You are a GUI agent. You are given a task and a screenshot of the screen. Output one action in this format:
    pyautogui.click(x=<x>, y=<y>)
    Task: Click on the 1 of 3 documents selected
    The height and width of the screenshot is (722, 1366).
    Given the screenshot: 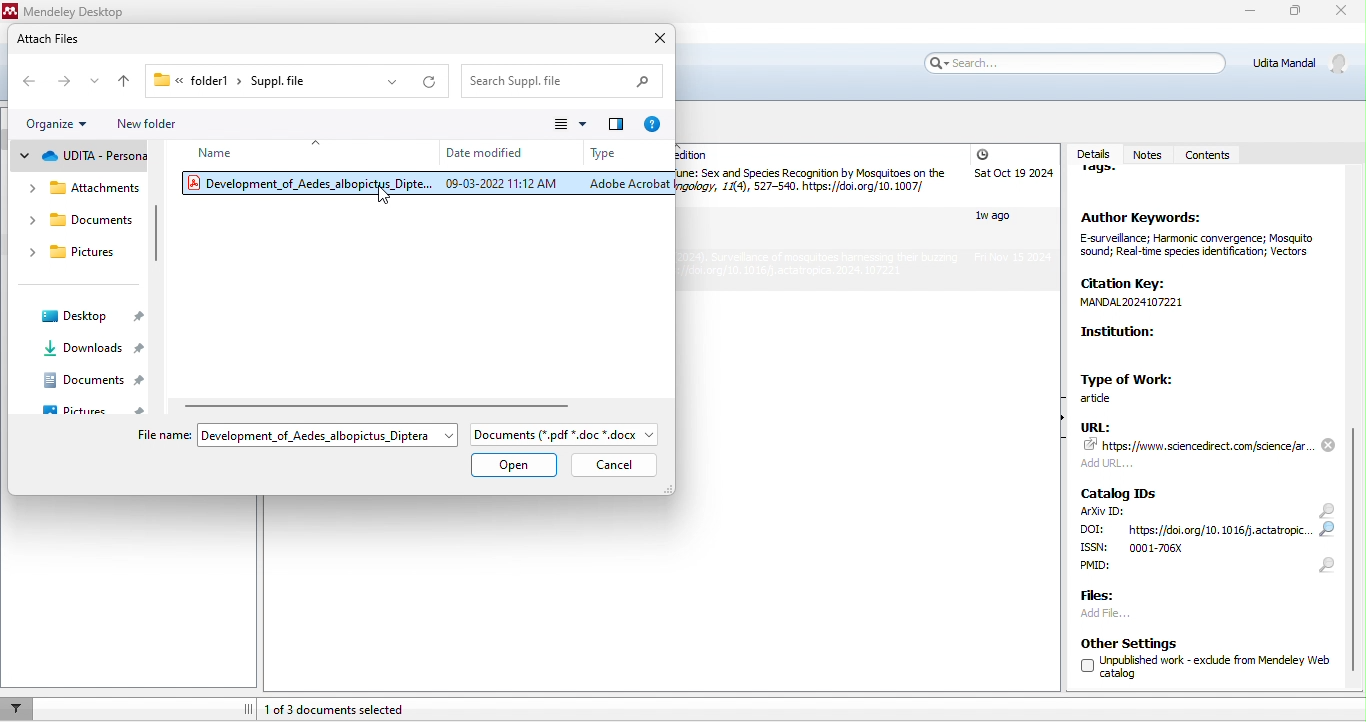 What is the action you would take?
    pyautogui.click(x=360, y=708)
    